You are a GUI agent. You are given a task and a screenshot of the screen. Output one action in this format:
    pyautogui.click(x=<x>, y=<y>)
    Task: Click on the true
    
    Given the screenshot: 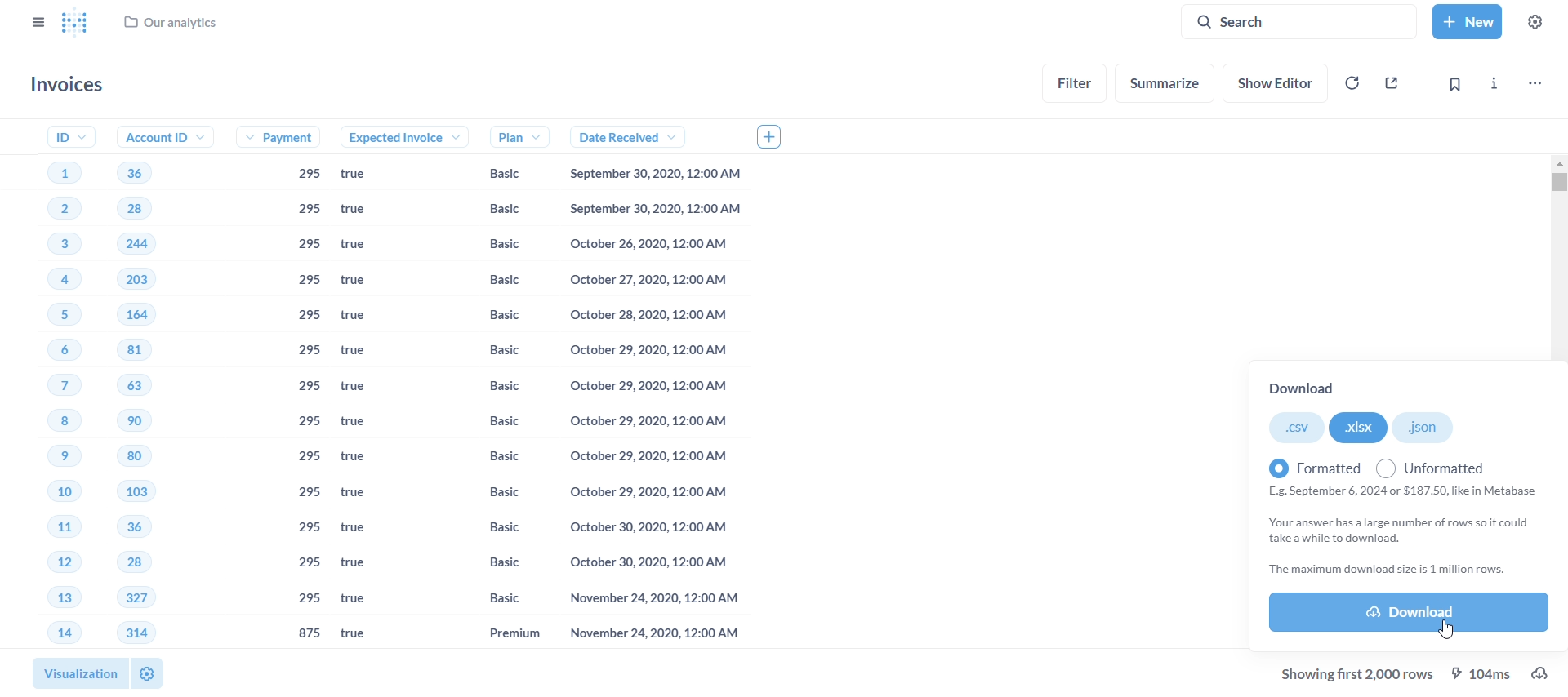 What is the action you would take?
    pyautogui.click(x=367, y=423)
    